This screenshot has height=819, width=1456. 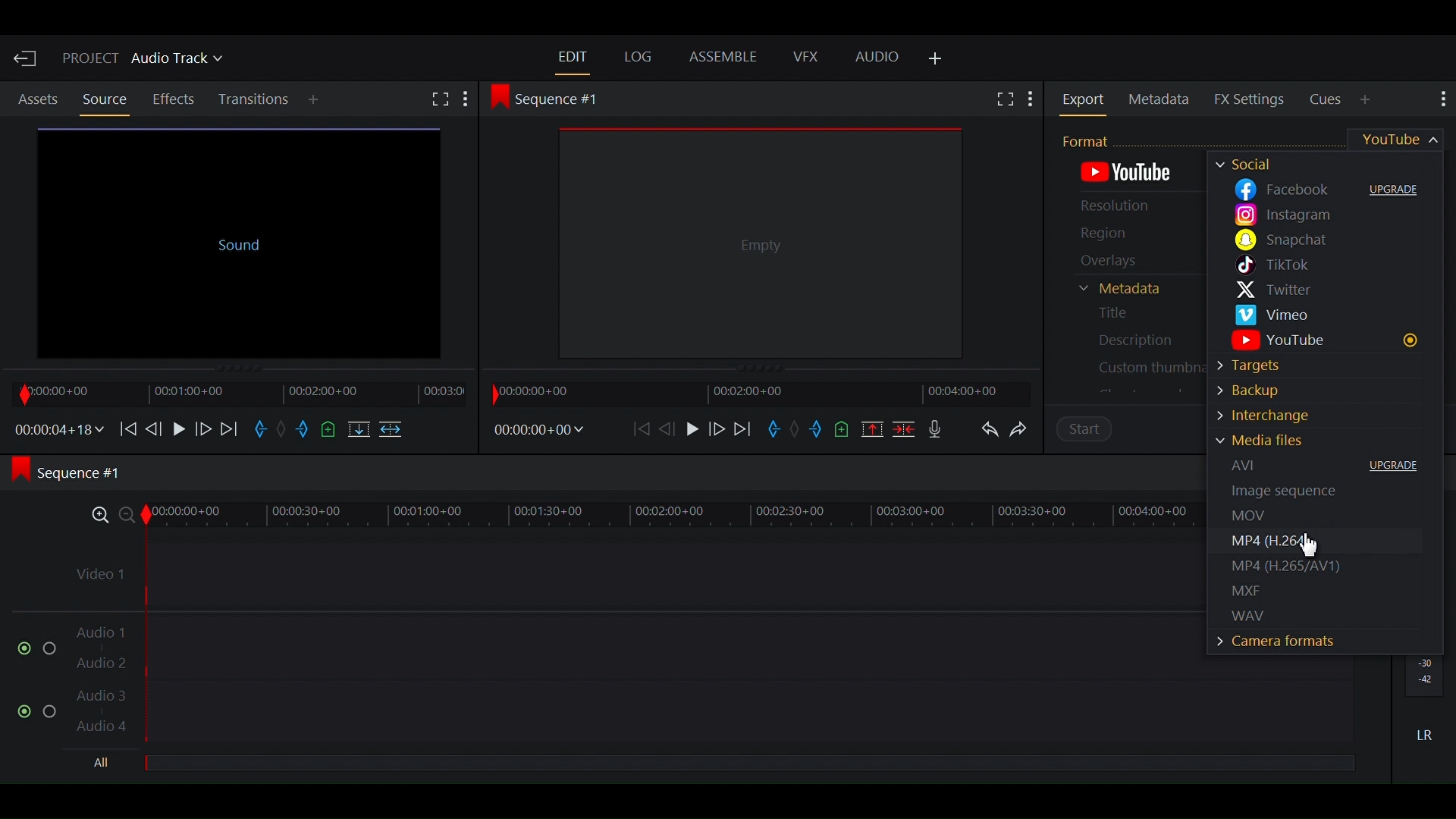 I want to click on More, so click(x=471, y=99).